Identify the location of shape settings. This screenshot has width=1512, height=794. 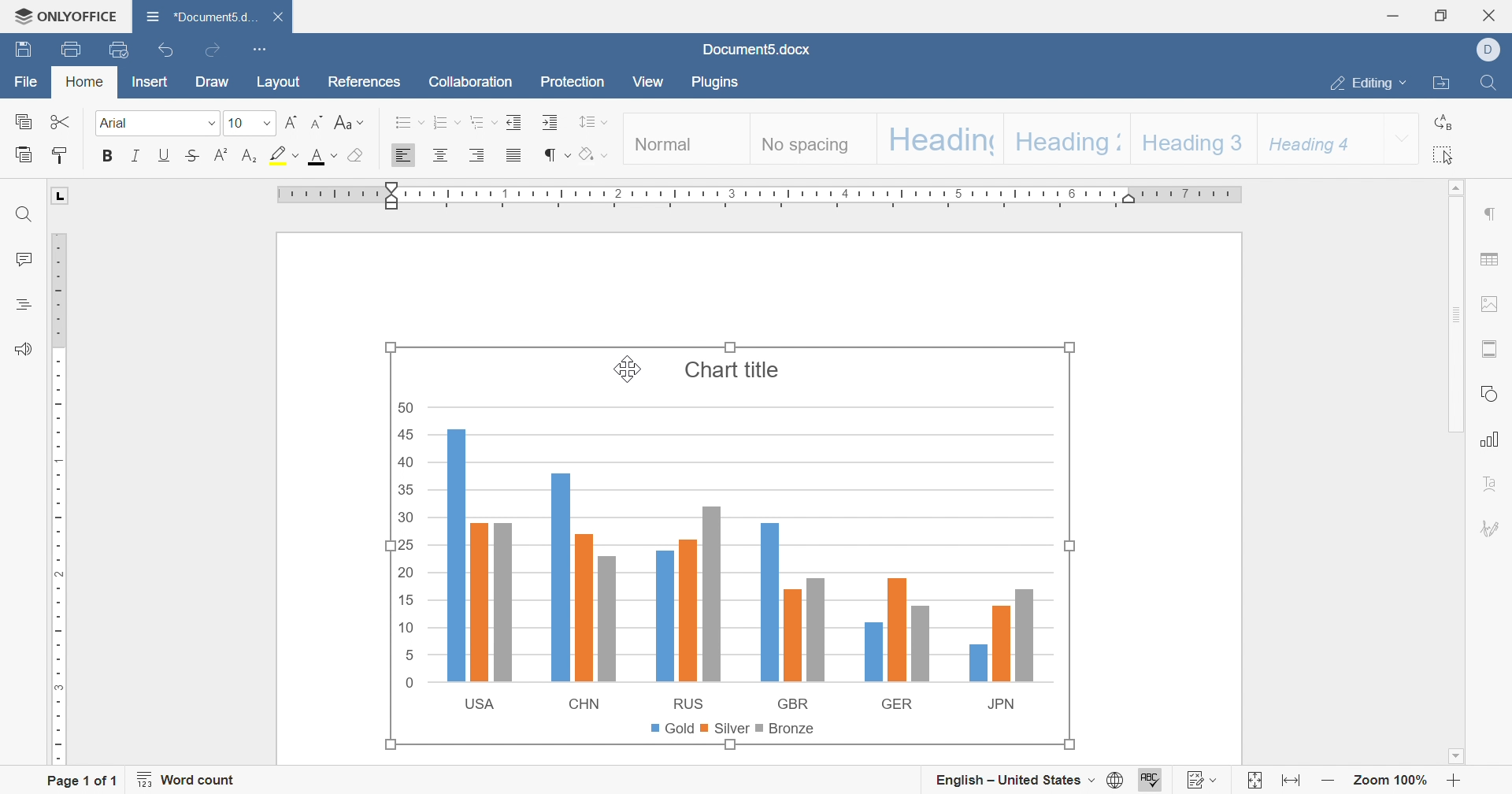
(1489, 394).